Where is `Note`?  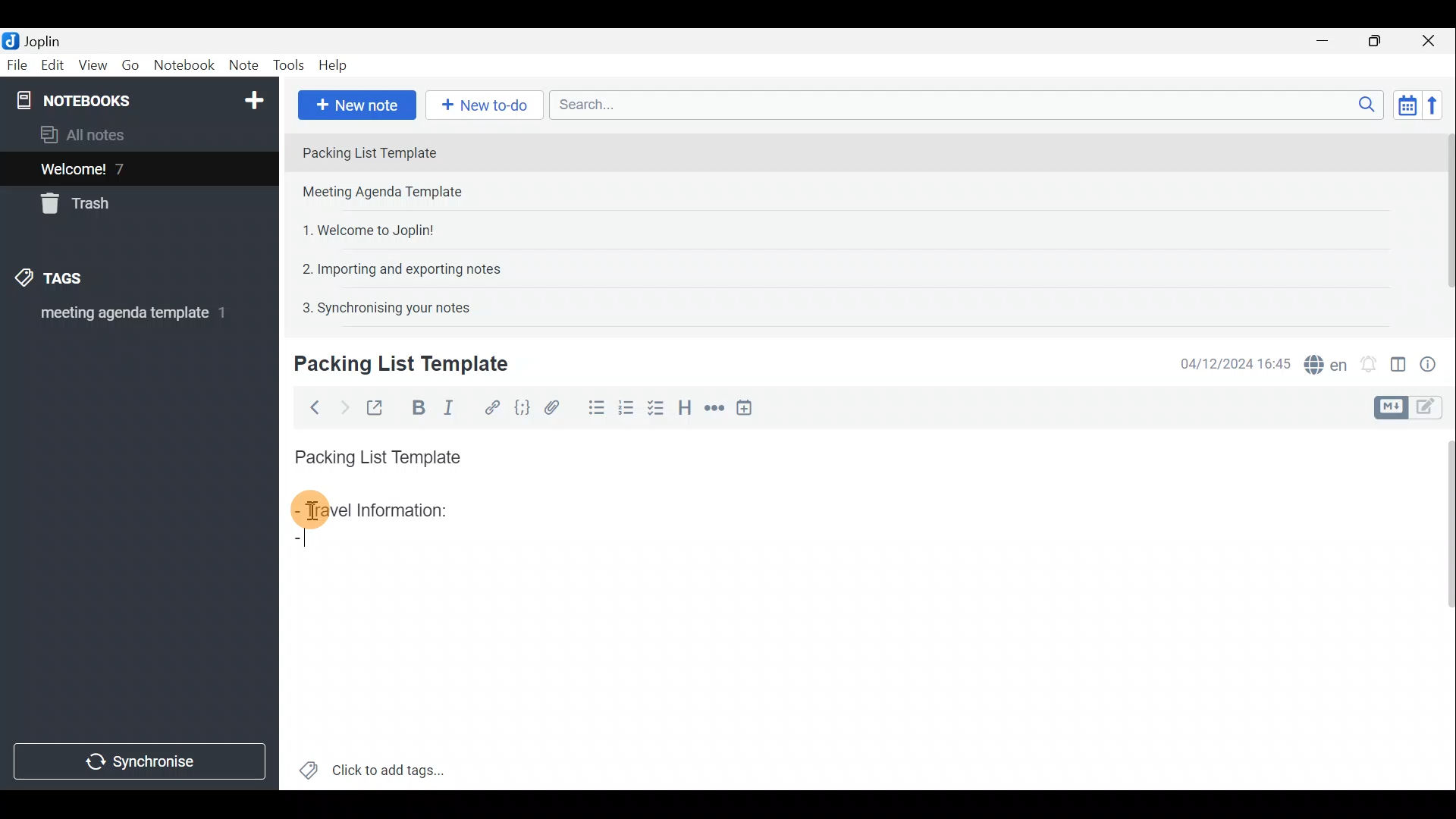
Note is located at coordinates (243, 66).